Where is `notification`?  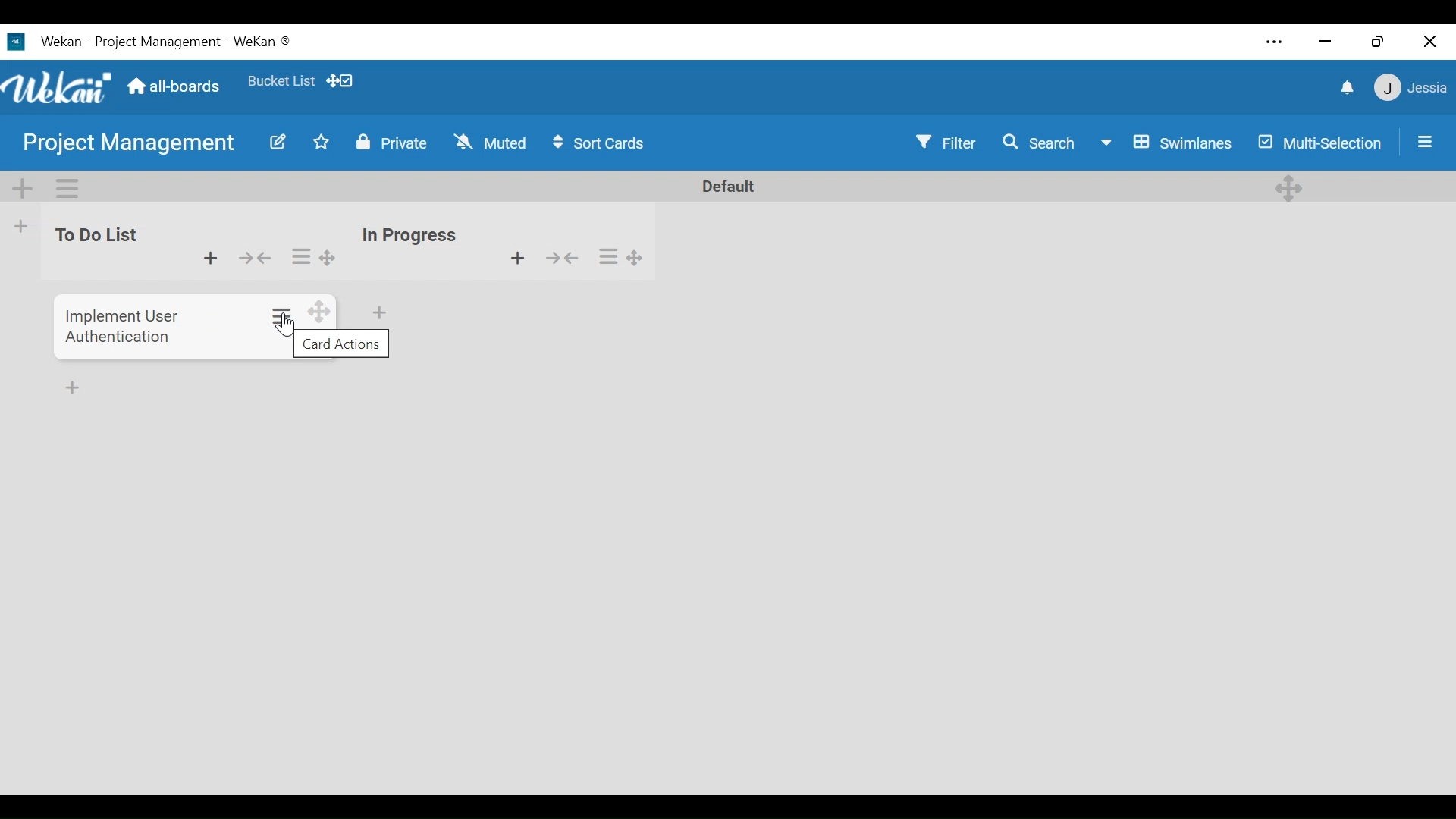 notification is located at coordinates (1346, 88).